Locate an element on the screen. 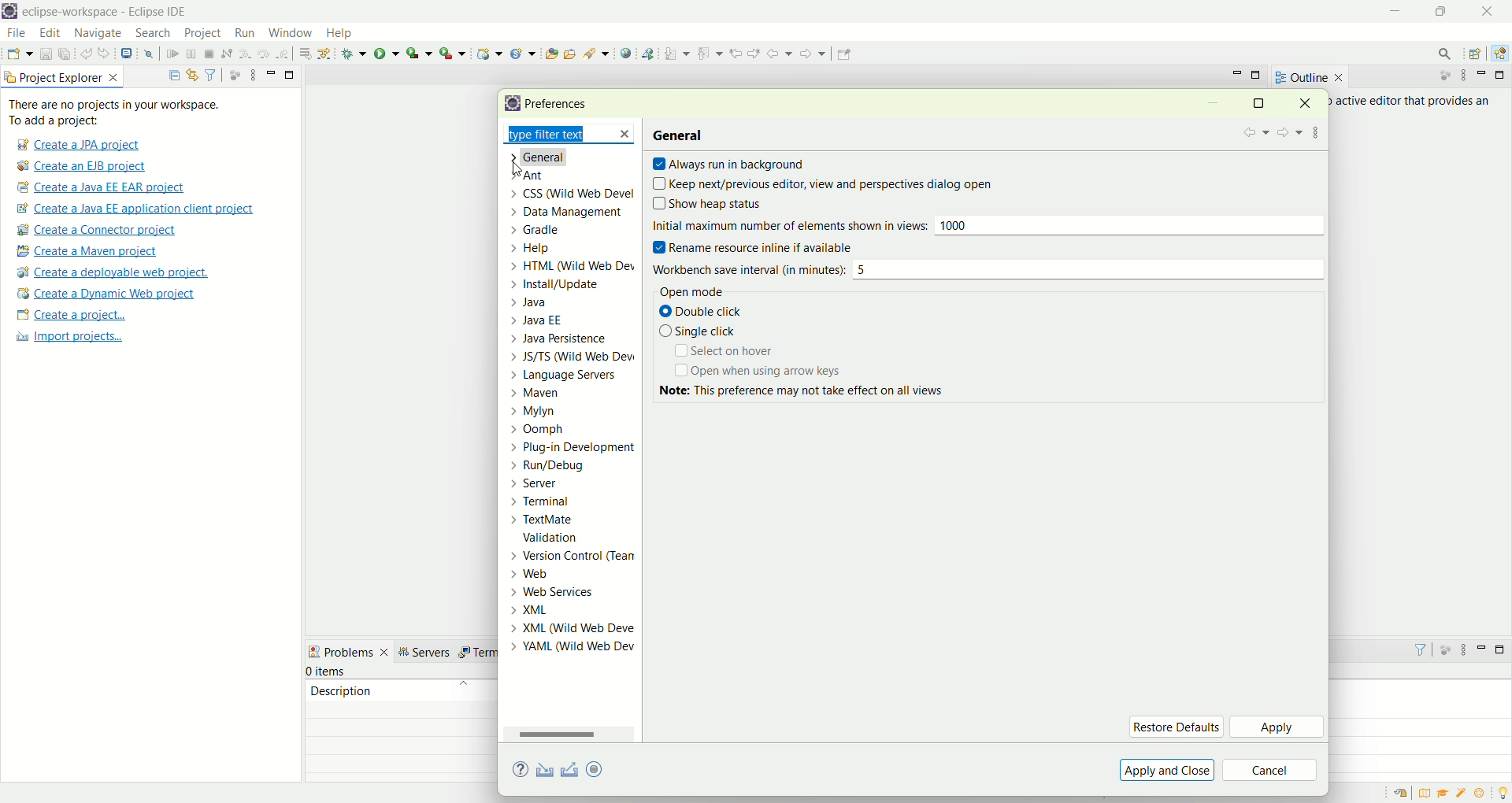  eclipse-workspace-Eclipse IDE is located at coordinates (103, 13).